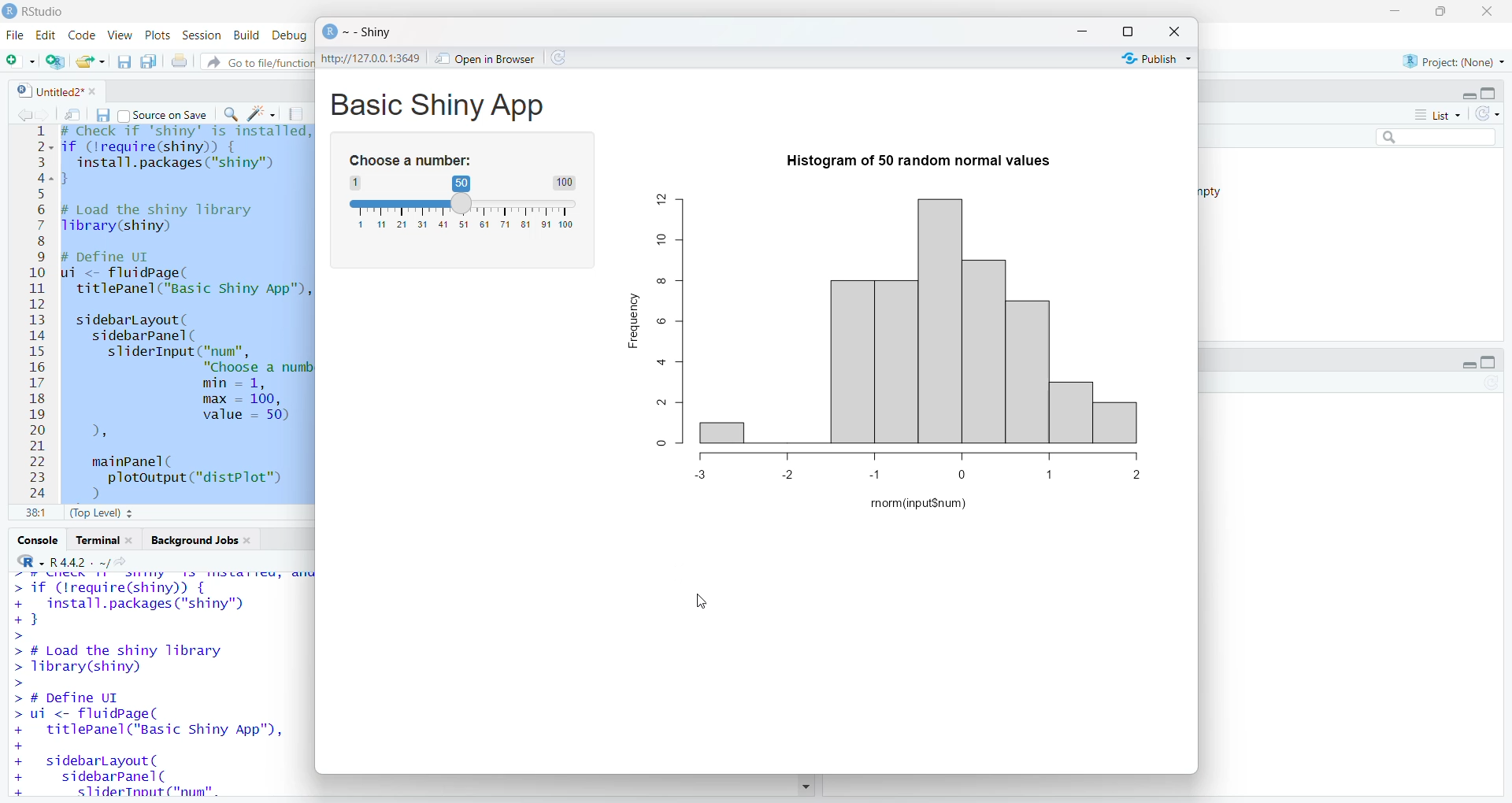 The height and width of the screenshot is (803, 1512). Describe the element at coordinates (556, 57) in the screenshot. I see `refresh` at that location.